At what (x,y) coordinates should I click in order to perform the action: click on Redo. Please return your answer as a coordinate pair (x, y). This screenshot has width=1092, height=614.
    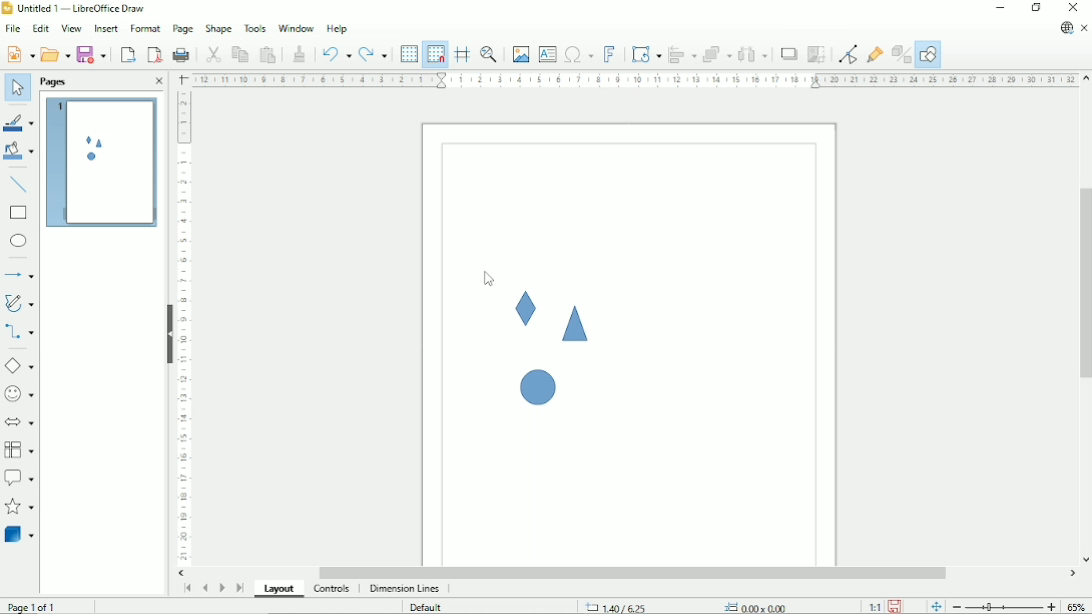
    Looking at the image, I should click on (374, 53).